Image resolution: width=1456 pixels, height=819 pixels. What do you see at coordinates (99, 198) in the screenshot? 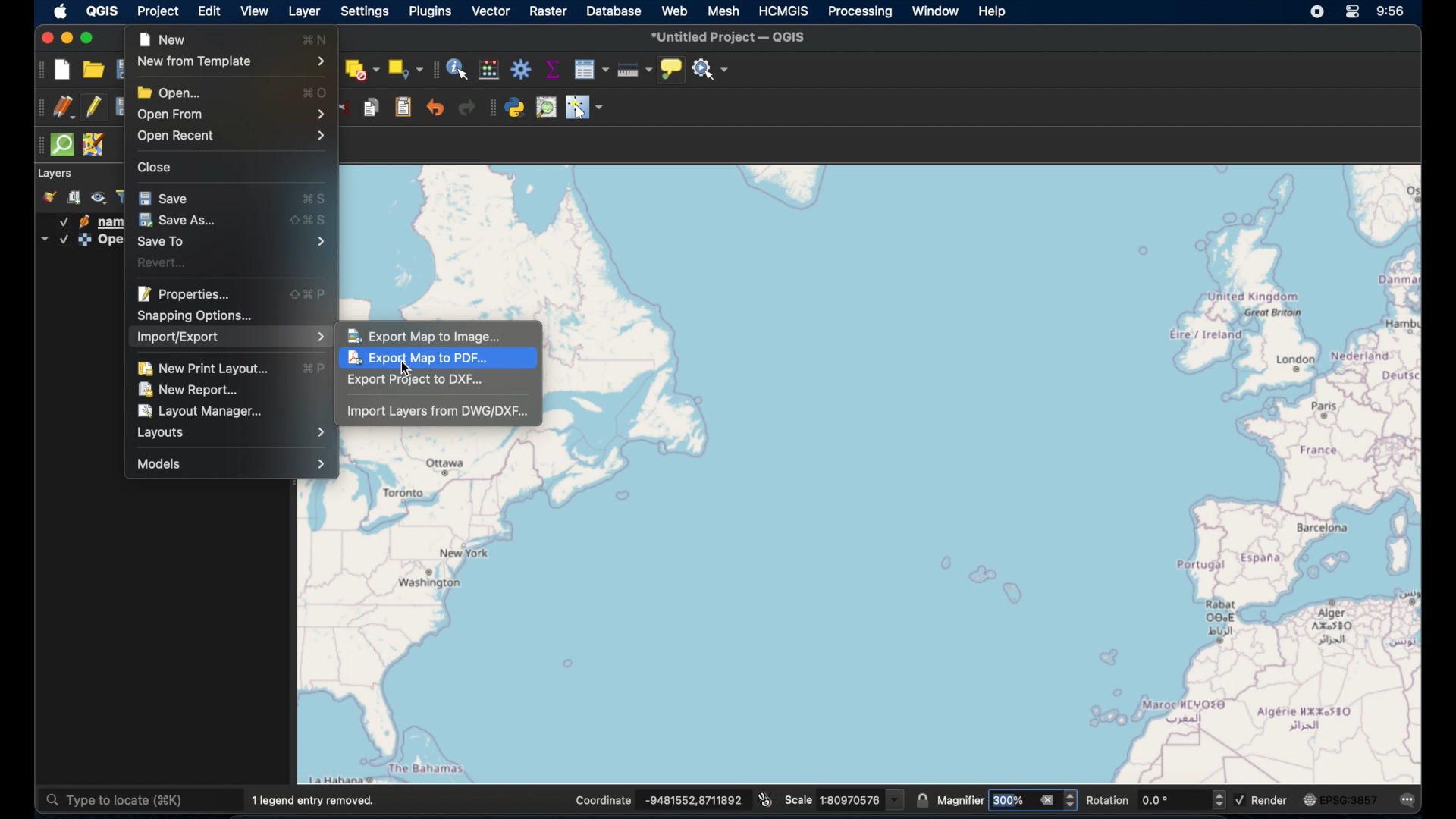
I see `manage map themes` at bounding box center [99, 198].